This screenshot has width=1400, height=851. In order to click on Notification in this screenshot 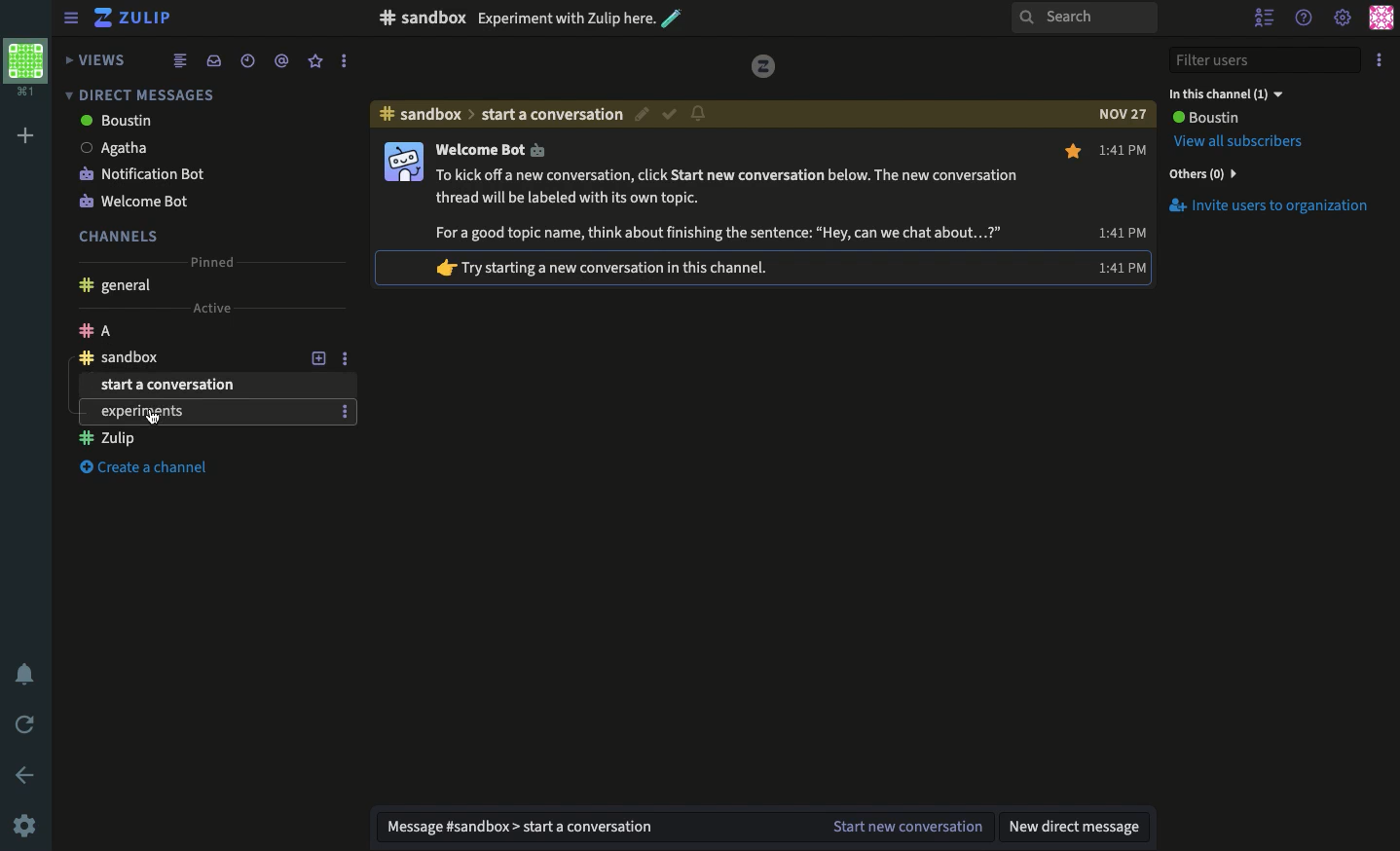, I will do `click(698, 112)`.